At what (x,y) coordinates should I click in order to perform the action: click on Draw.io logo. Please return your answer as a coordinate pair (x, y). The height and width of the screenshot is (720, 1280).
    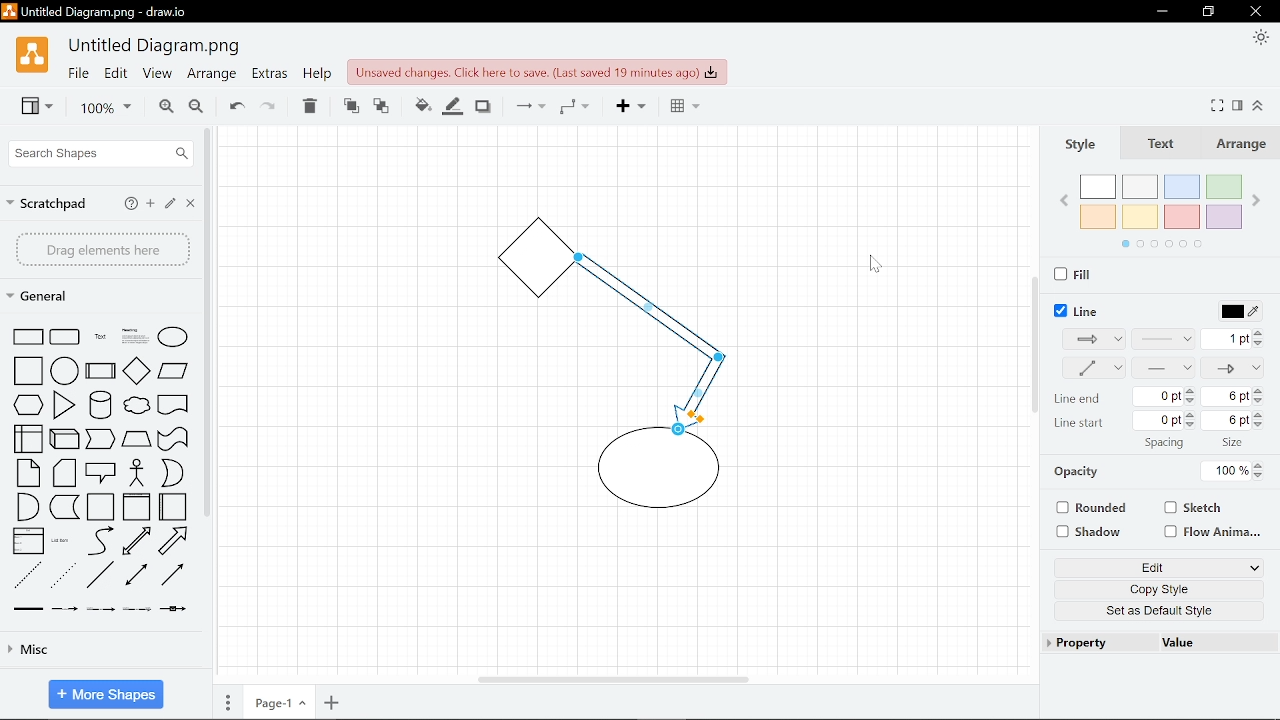
    Looking at the image, I should click on (31, 60).